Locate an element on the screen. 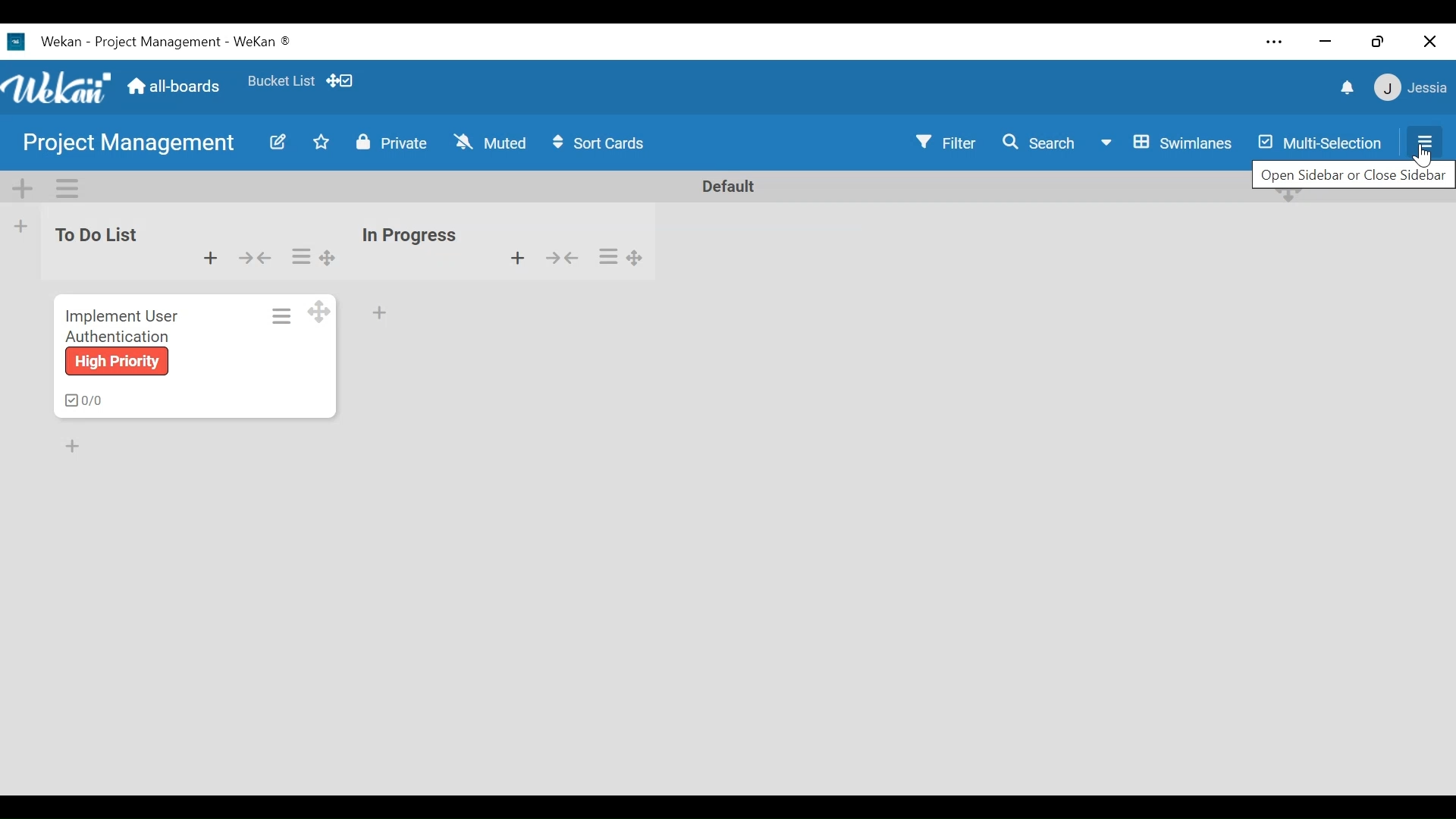 This screenshot has width=1456, height=819. List Name is located at coordinates (93, 234).